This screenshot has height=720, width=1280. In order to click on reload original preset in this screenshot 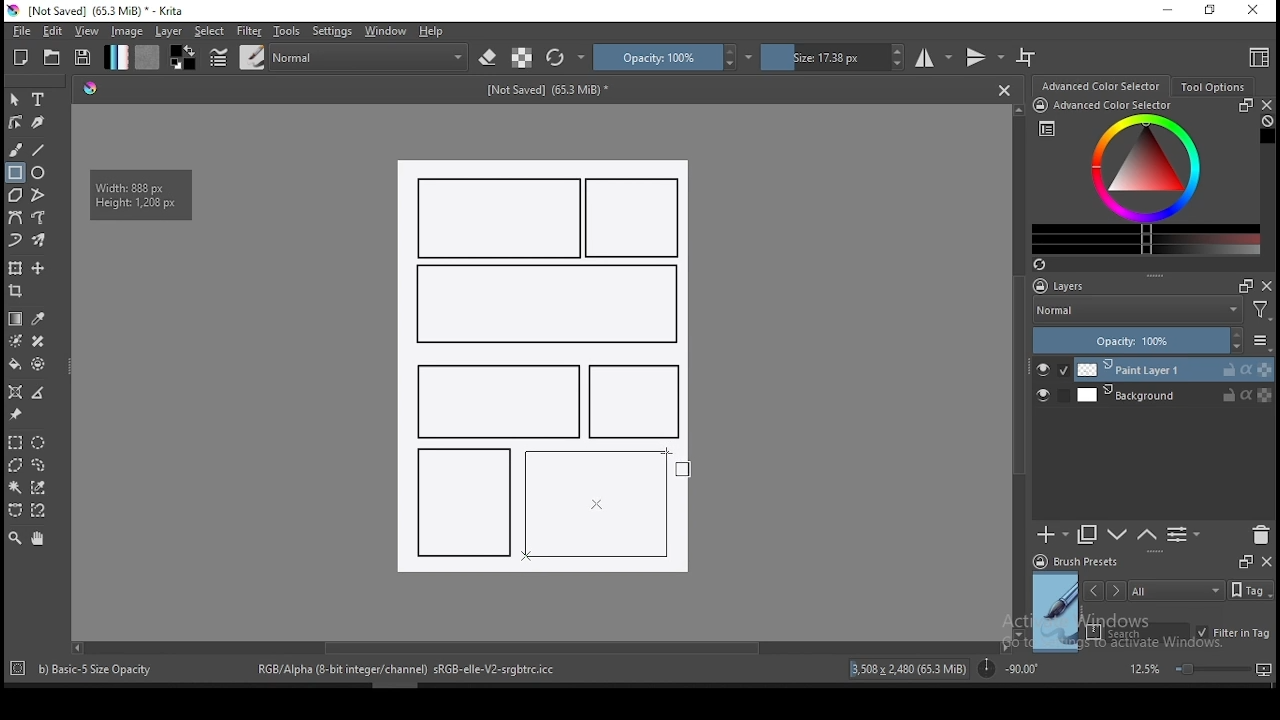, I will do `click(566, 57)`.